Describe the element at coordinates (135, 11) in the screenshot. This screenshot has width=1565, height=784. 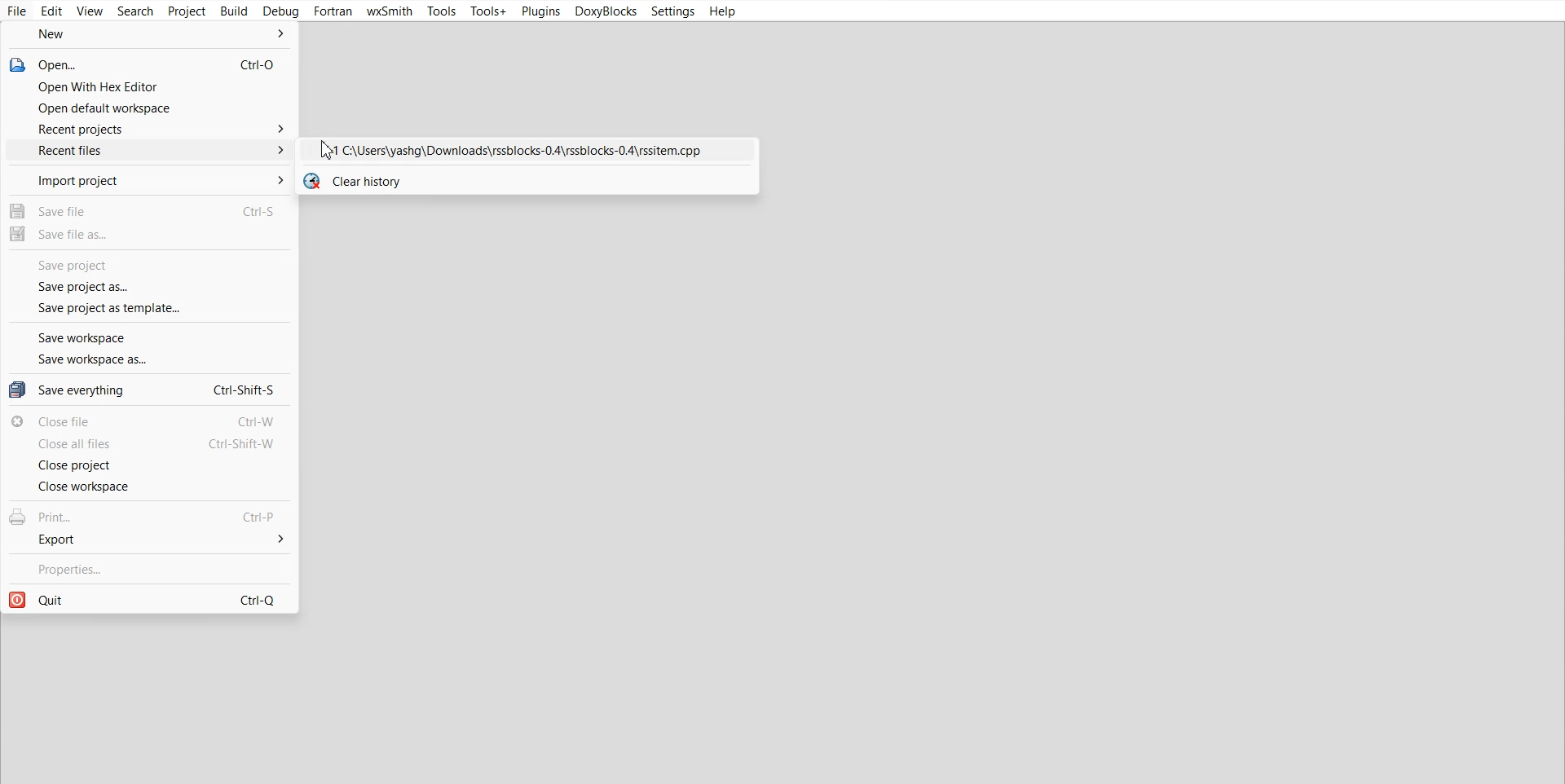
I see `Search` at that location.